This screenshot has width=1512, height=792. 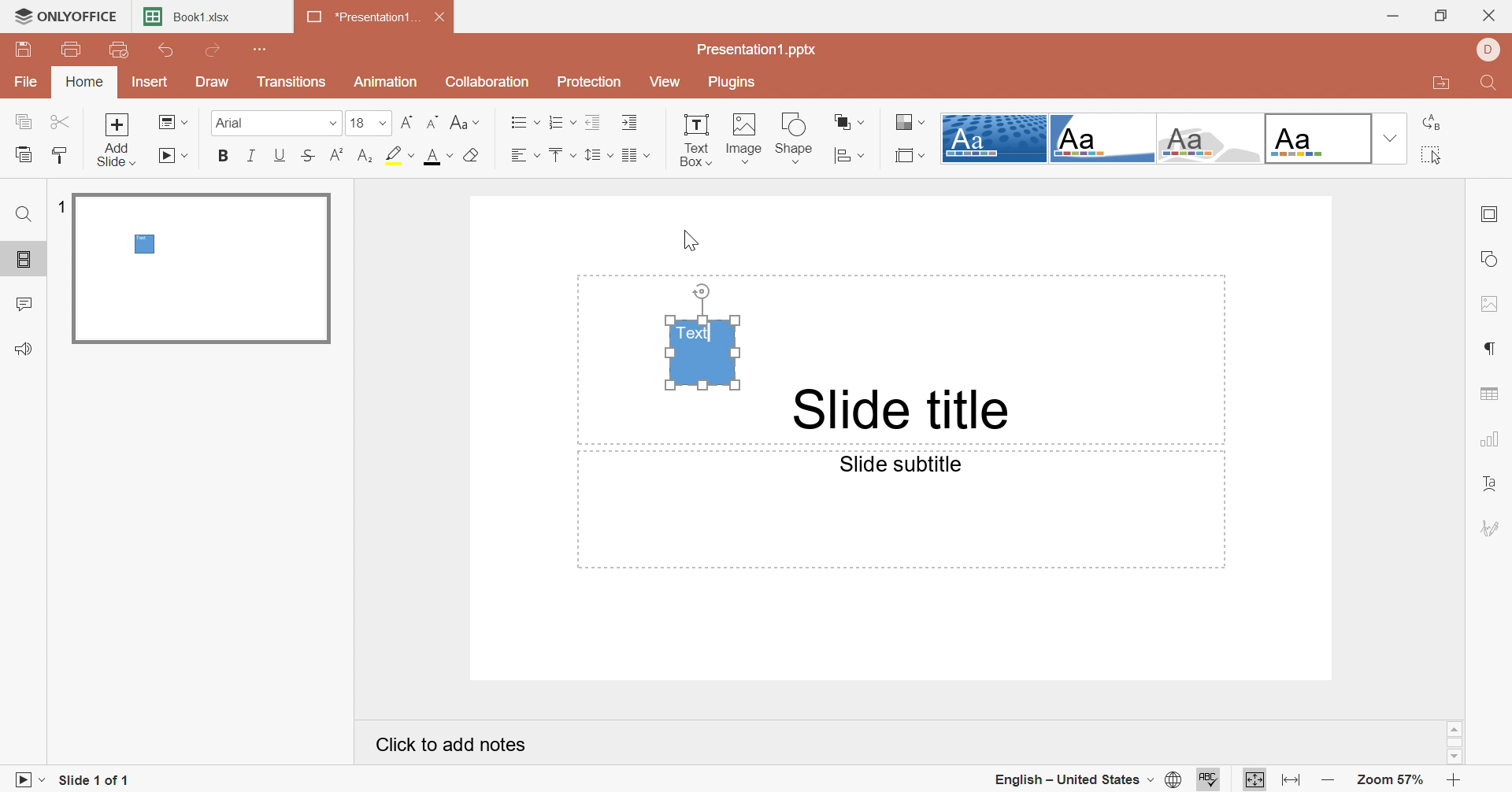 I want to click on Close, so click(x=1492, y=17).